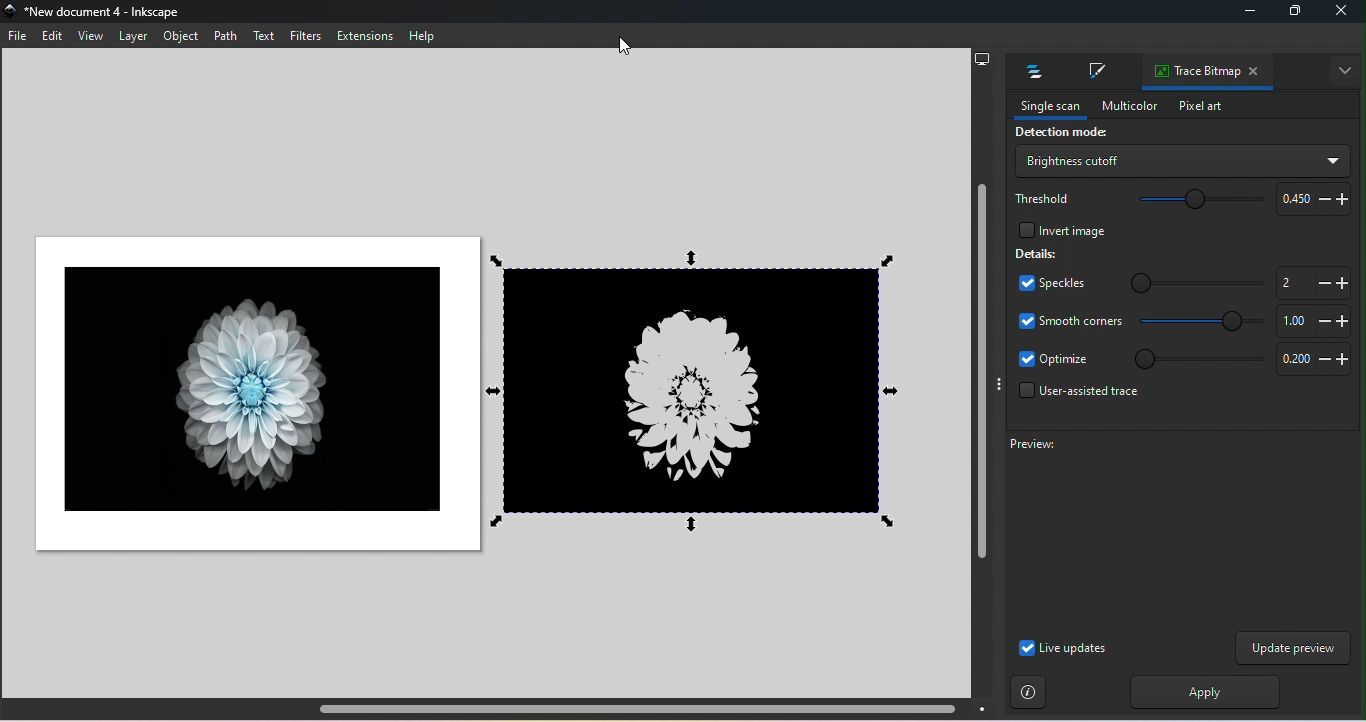 Image resolution: width=1366 pixels, height=722 pixels. What do you see at coordinates (1037, 253) in the screenshot?
I see `Details` at bounding box center [1037, 253].